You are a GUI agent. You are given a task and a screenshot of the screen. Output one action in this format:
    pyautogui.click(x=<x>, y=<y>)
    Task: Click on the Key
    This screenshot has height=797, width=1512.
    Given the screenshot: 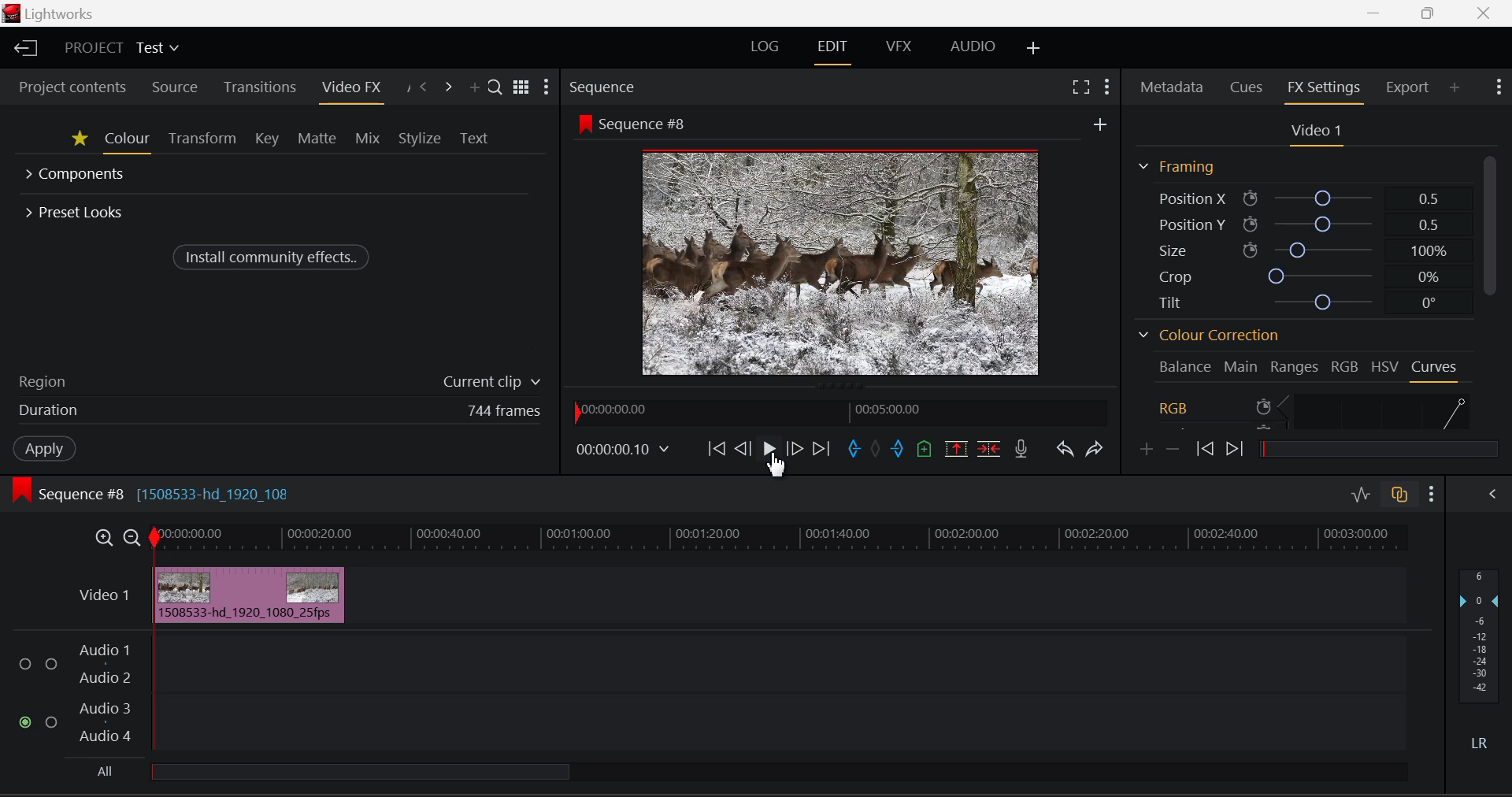 What is the action you would take?
    pyautogui.click(x=265, y=140)
    